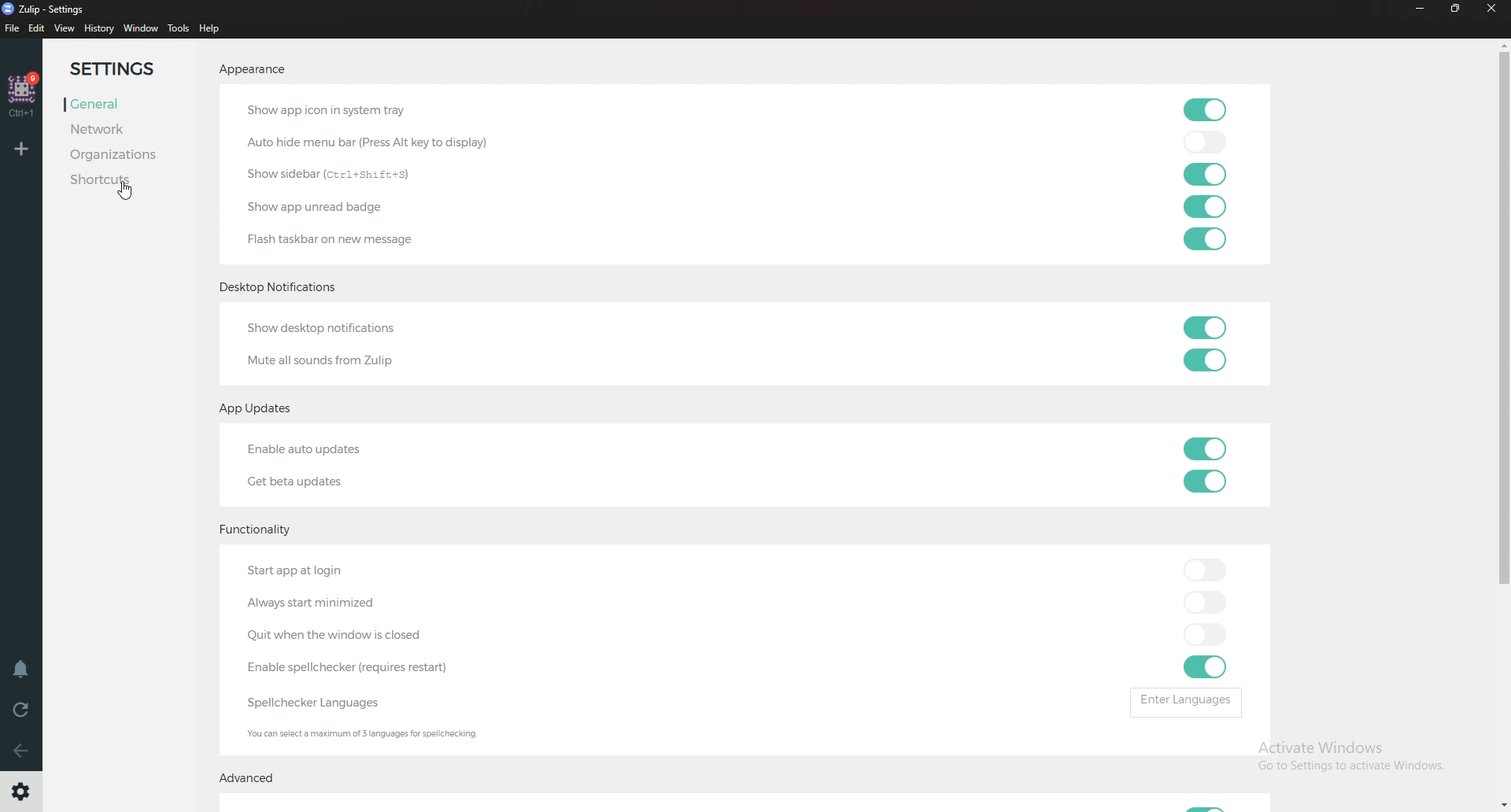 The width and height of the screenshot is (1511, 812). Describe the element at coordinates (37, 28) in the screenshot. I see `Edit` at that location.